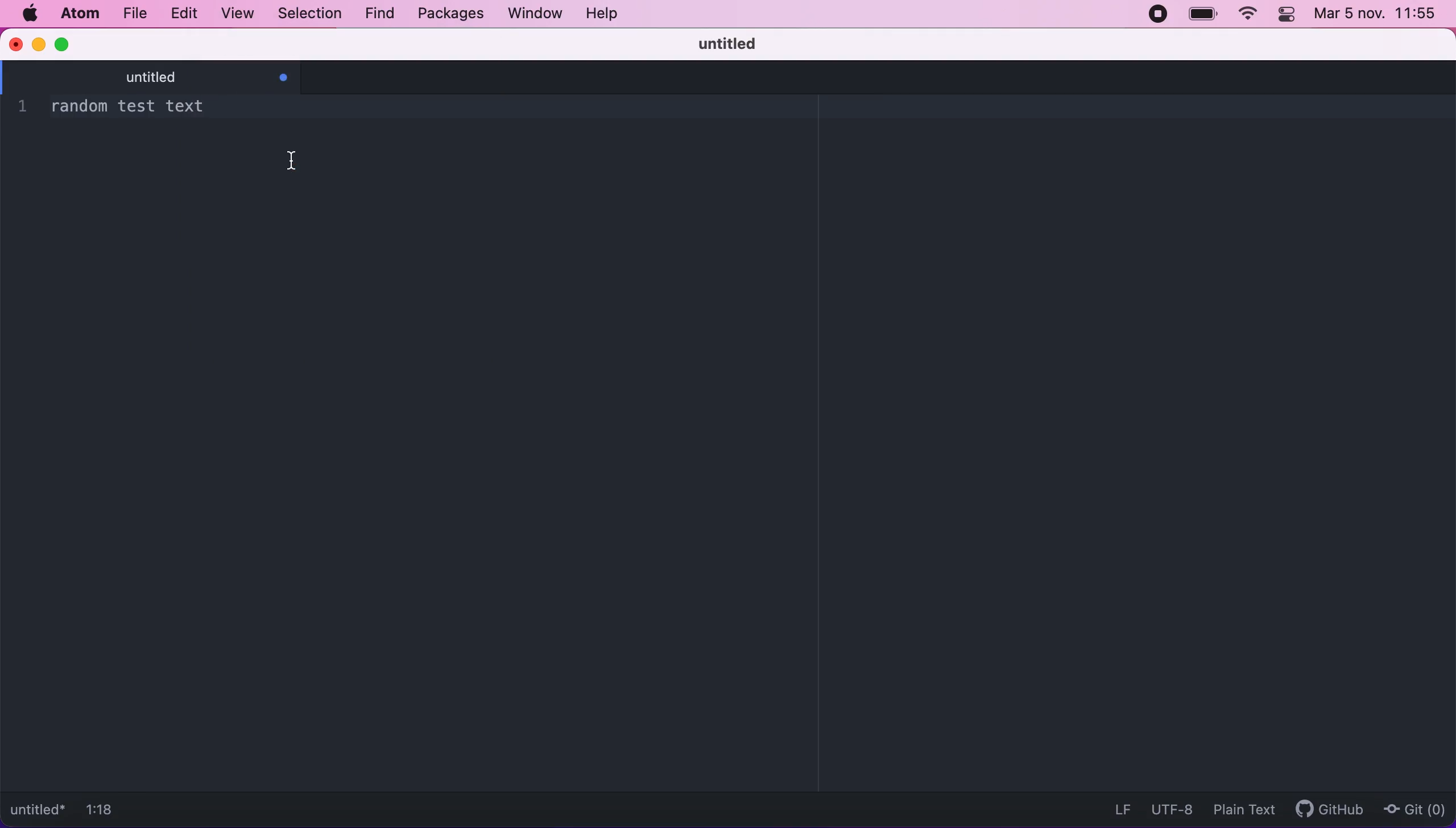 The height and width of the screenshot is (828, 1456). I want to click on packages, so click(449, 14).